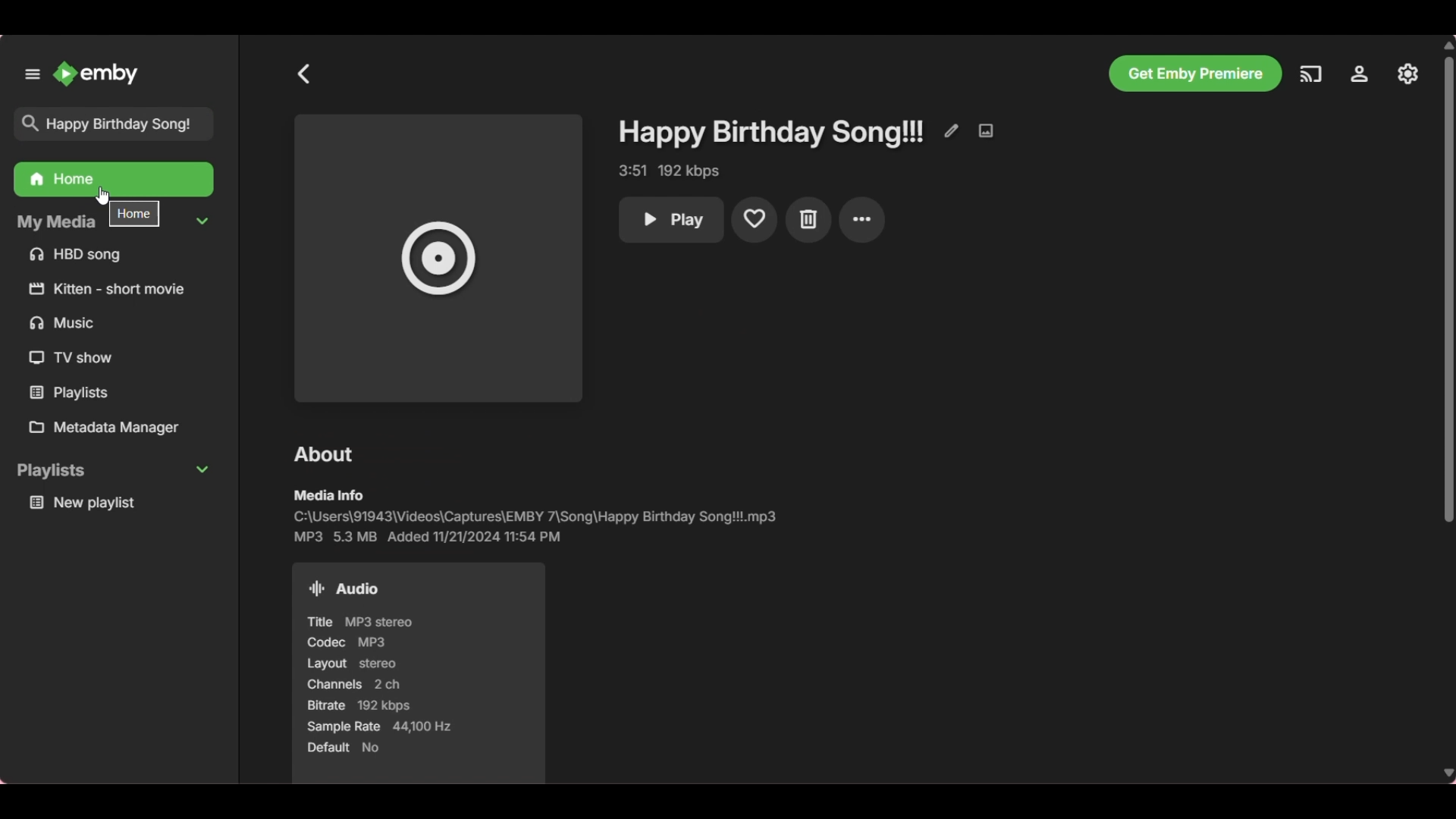 The image size is (1456, 819). Describe the element at coordinates (31, 74) in the screenshot. I see `Unpin left panel` at that location.